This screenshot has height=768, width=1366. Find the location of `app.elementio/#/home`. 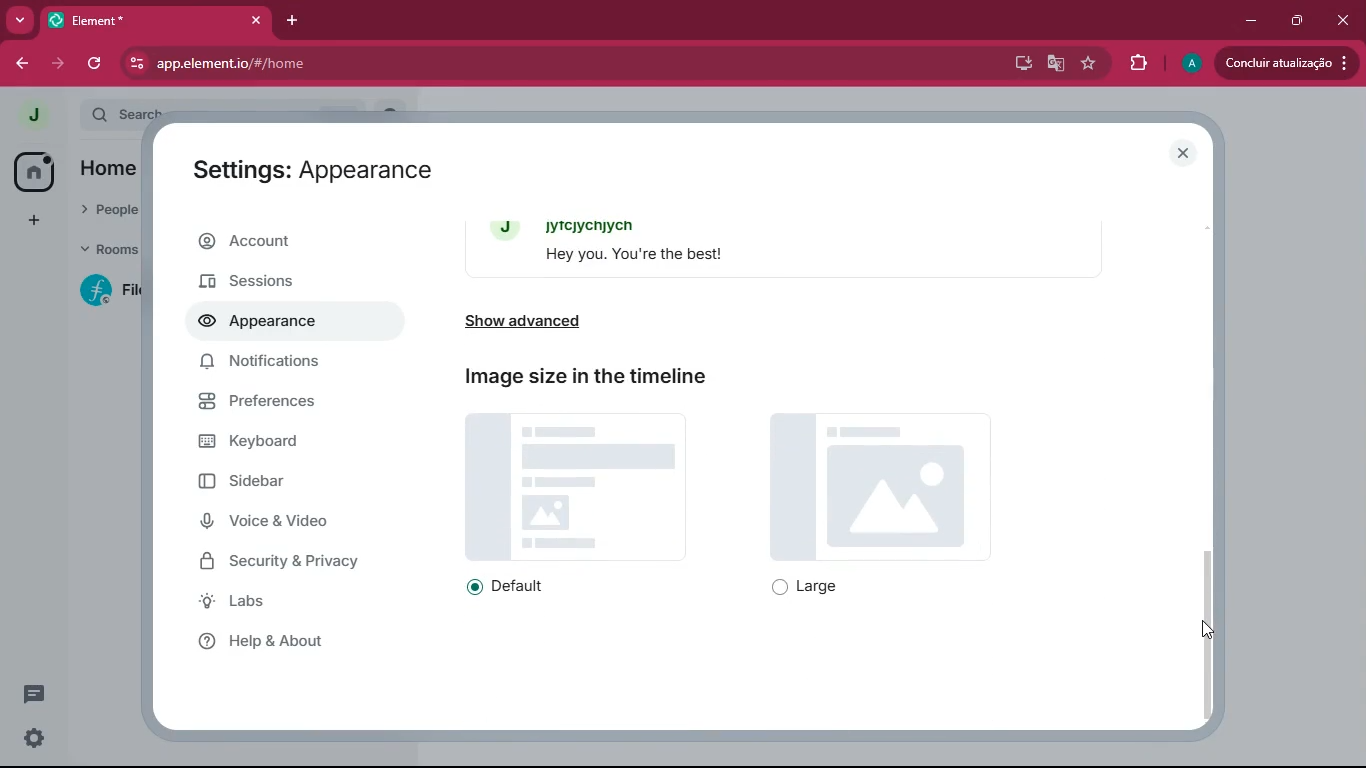

app.elementio/#/home is located at coordinates (371, 63).